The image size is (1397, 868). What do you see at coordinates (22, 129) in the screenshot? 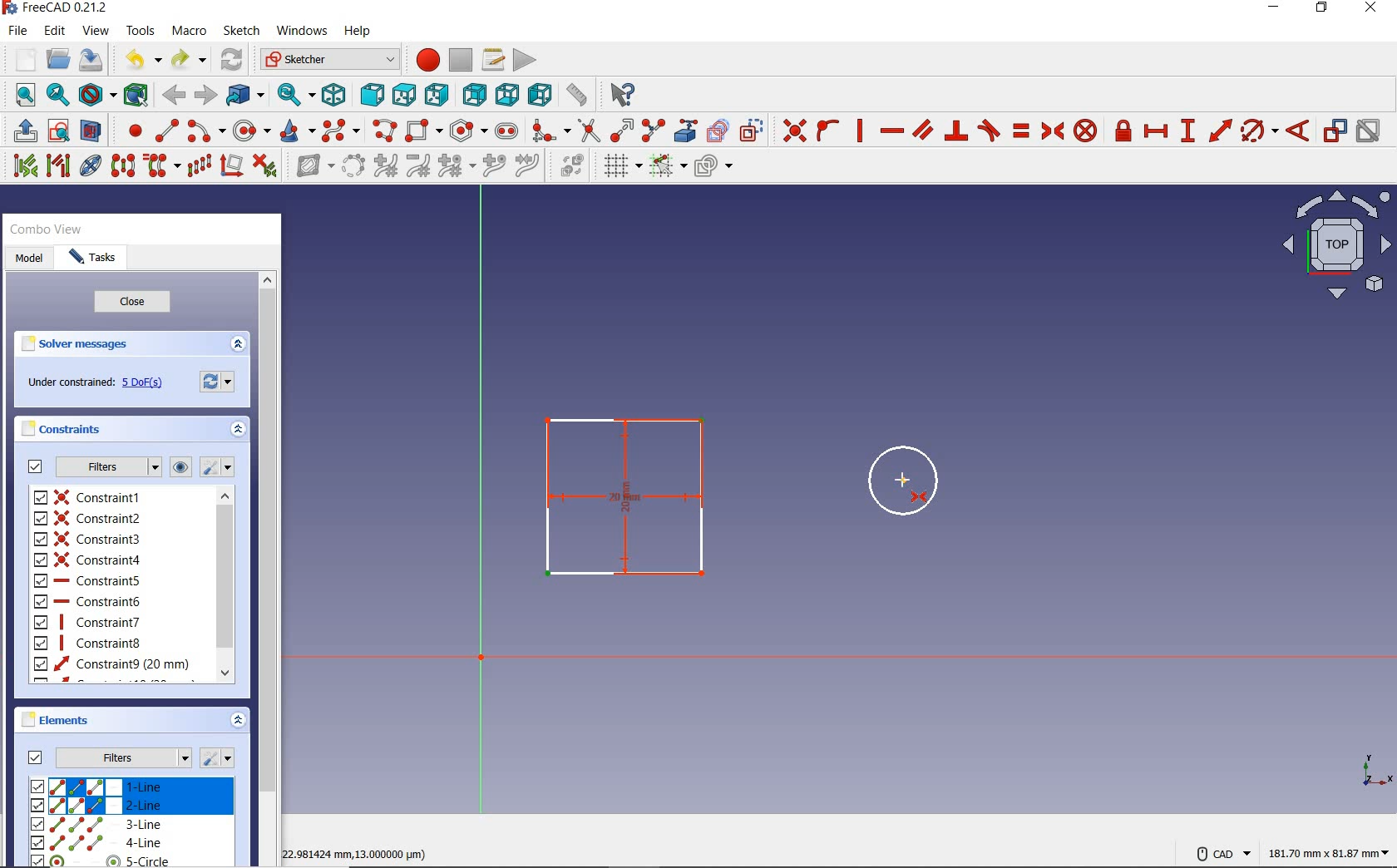
I see `leave sketch` at bounding box center [22, 129].